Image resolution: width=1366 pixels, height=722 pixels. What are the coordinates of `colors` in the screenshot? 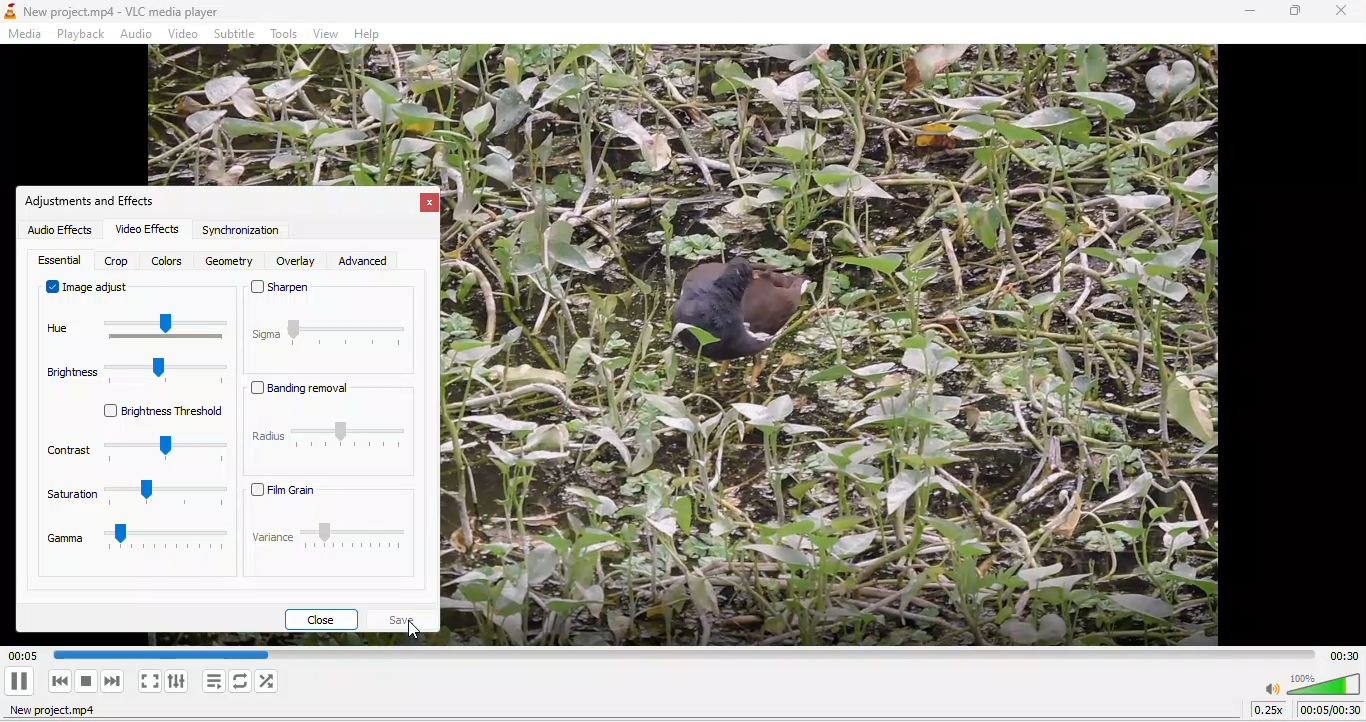 It's located at (169, 261).